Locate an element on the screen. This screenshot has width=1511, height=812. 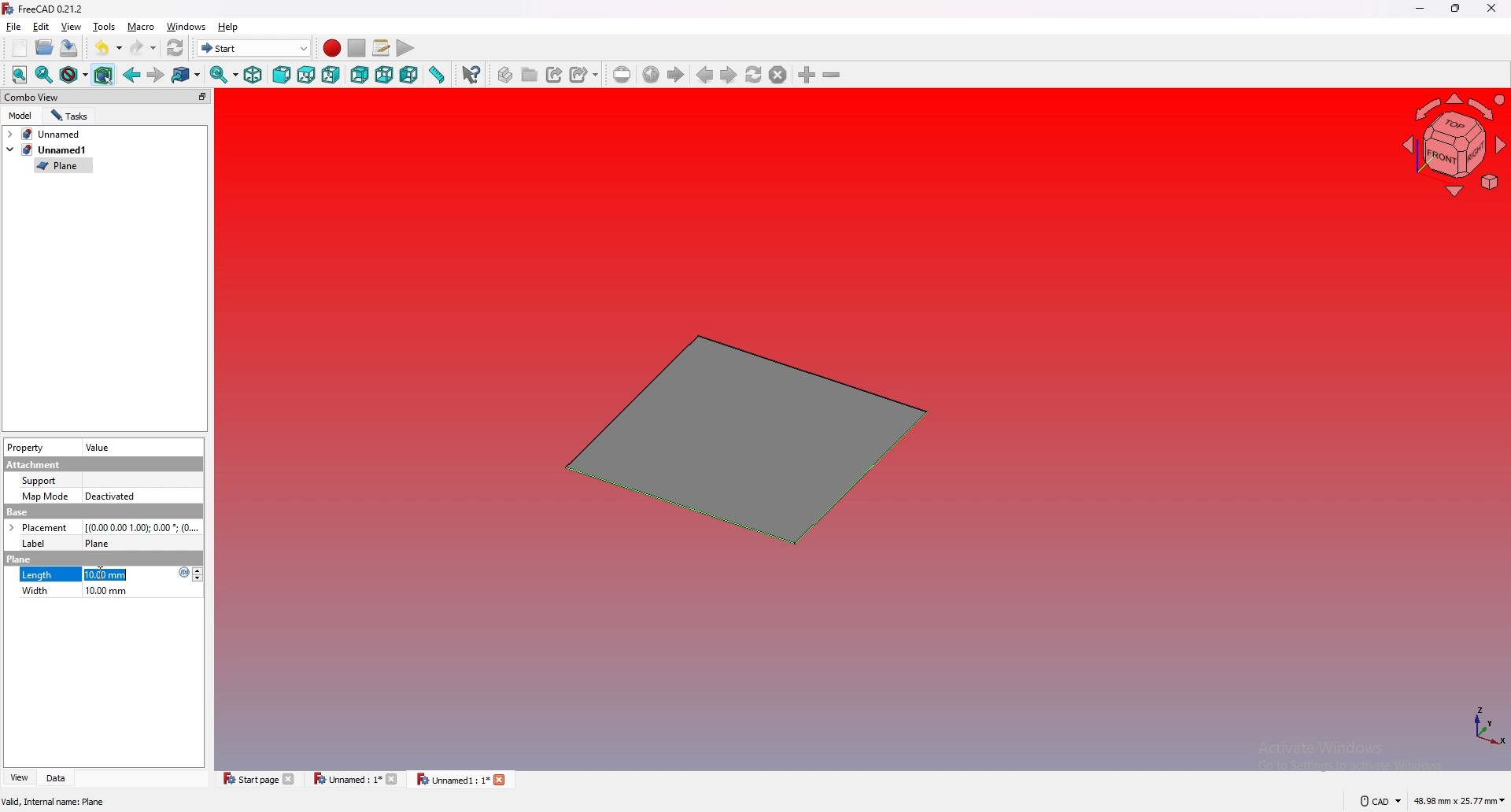
create sub link is located at coordinates (585, 75).